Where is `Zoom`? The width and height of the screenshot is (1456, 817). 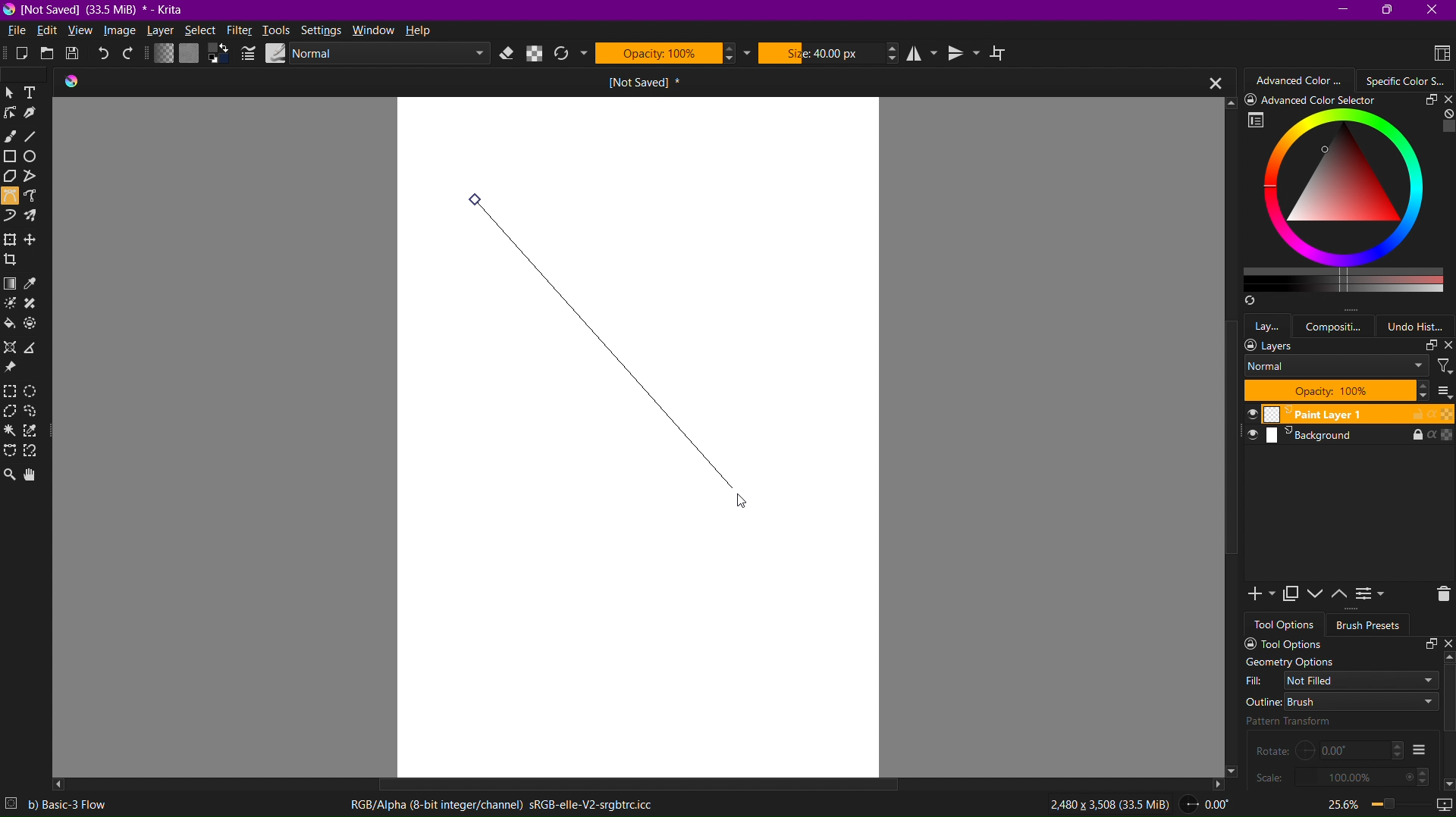 Zoom is located at coordinates (1361, 803).